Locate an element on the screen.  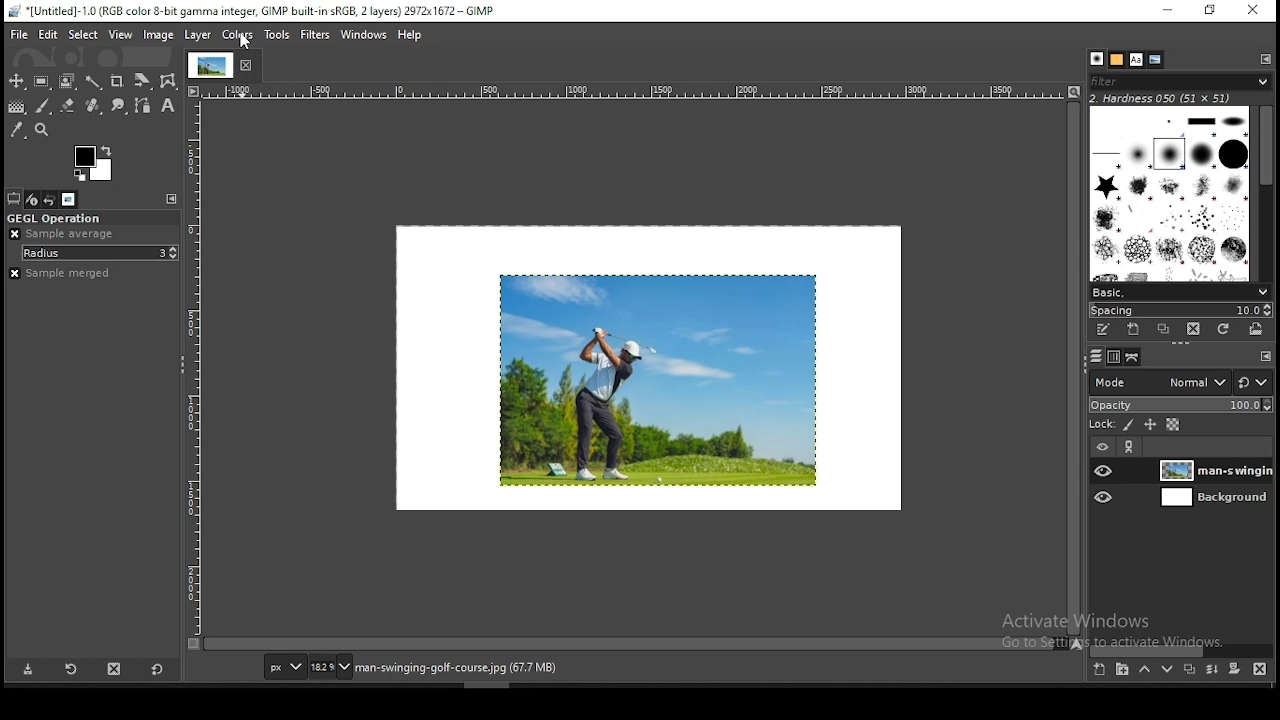
move layer on step up is located at coordinates (1146, 670).